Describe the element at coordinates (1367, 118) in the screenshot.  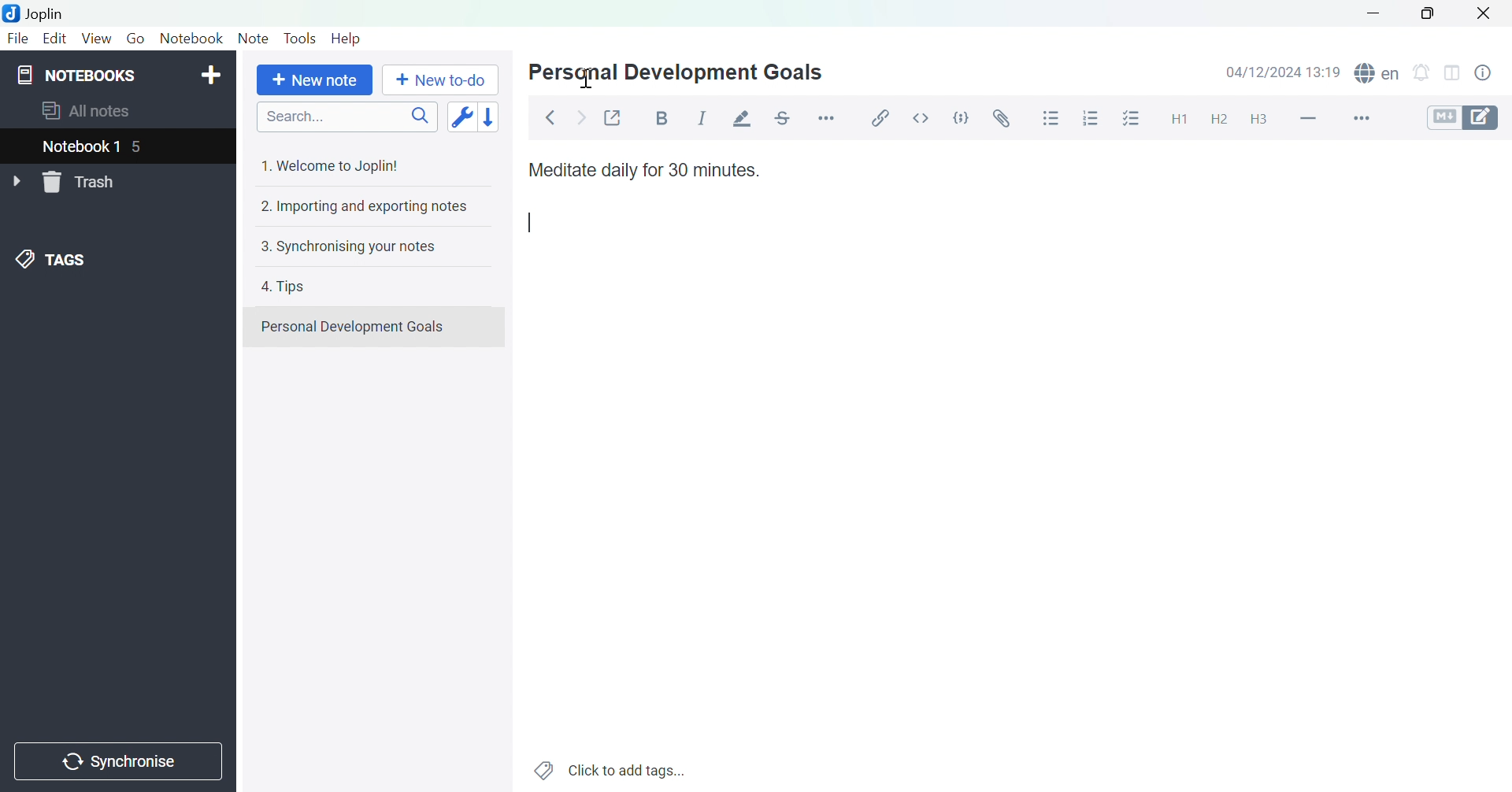
I see `More` at that location.